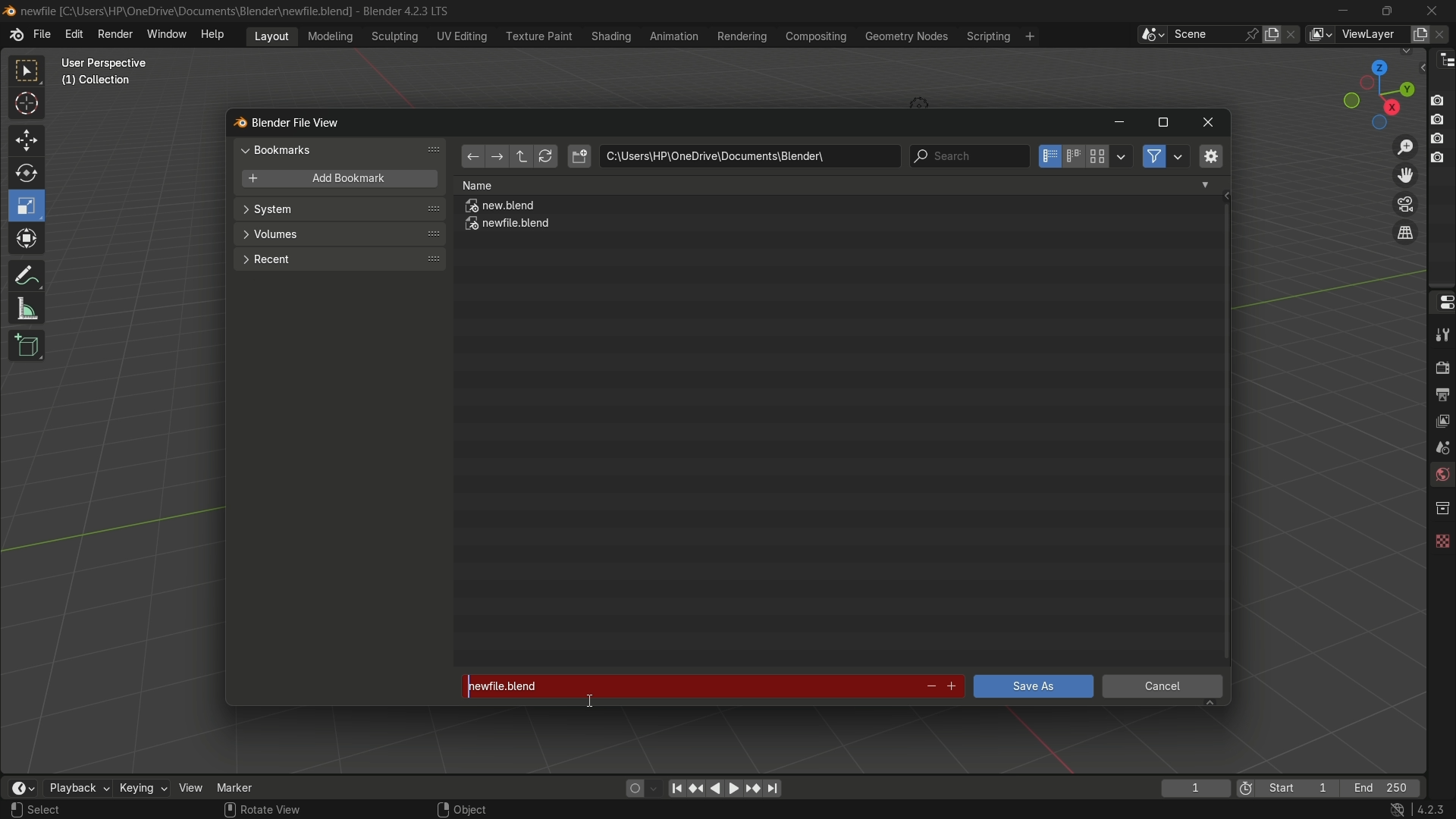 Image resolution: width=1456 pixels, height=819 pixels. What do you see at coordinates (1405, 234) in the screenshot?
I see `switch current view layer` at bounding box center [1405, 234].